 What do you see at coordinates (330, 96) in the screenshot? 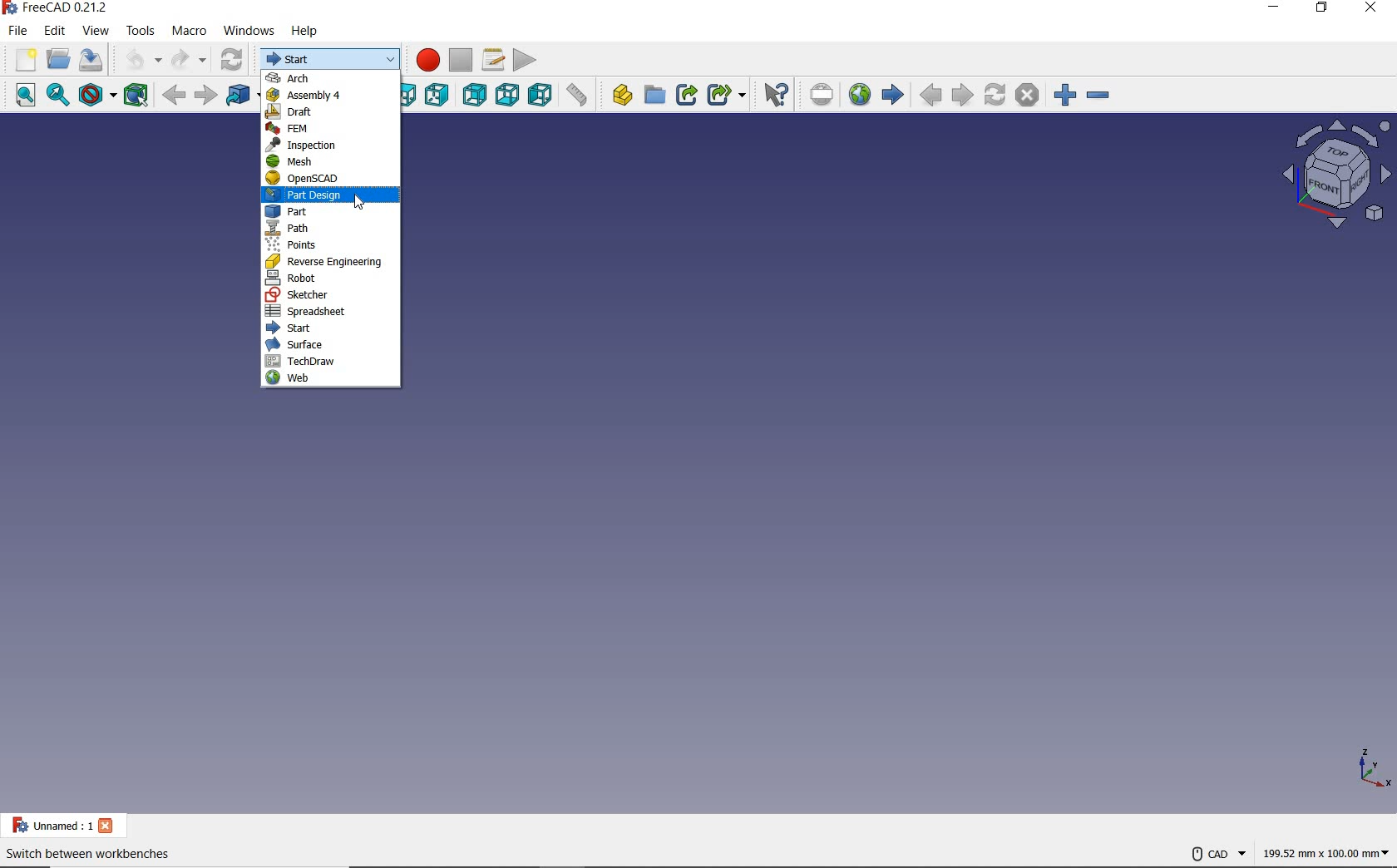
I see `ASSEMBLY 4` at bounding box center [330, 96].